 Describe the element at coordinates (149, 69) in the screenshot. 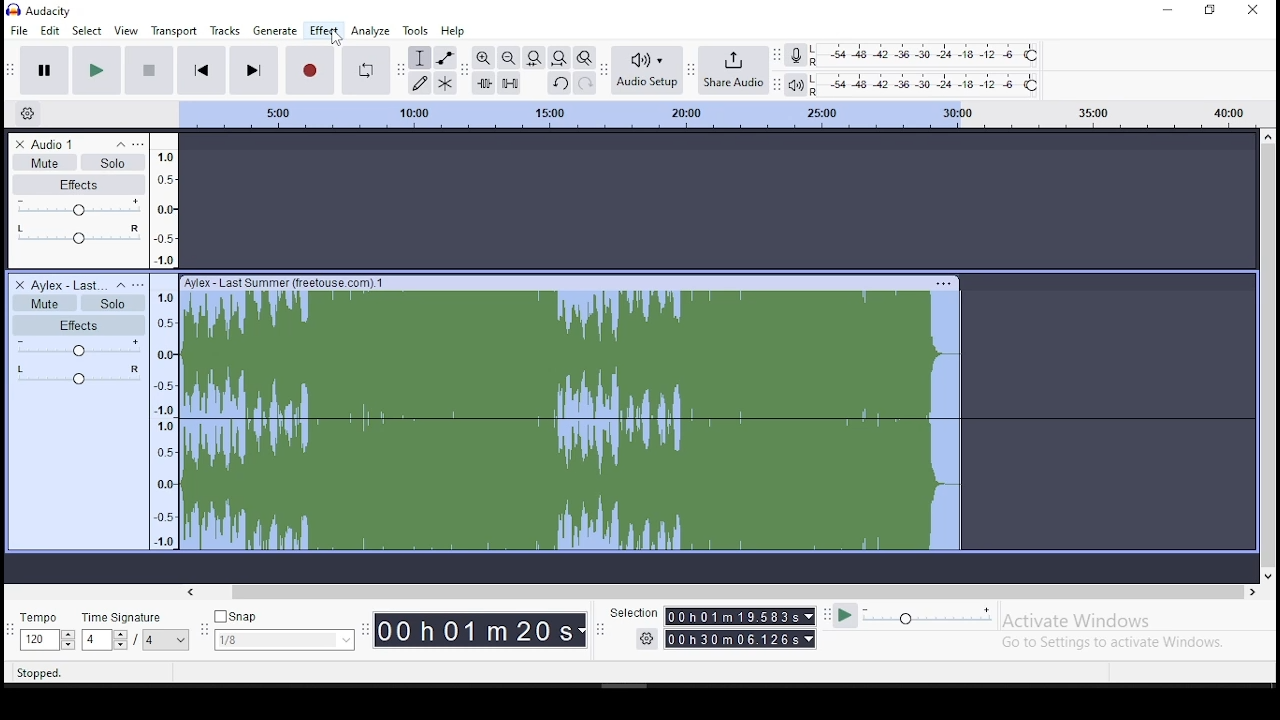

I see `stop` at that location.